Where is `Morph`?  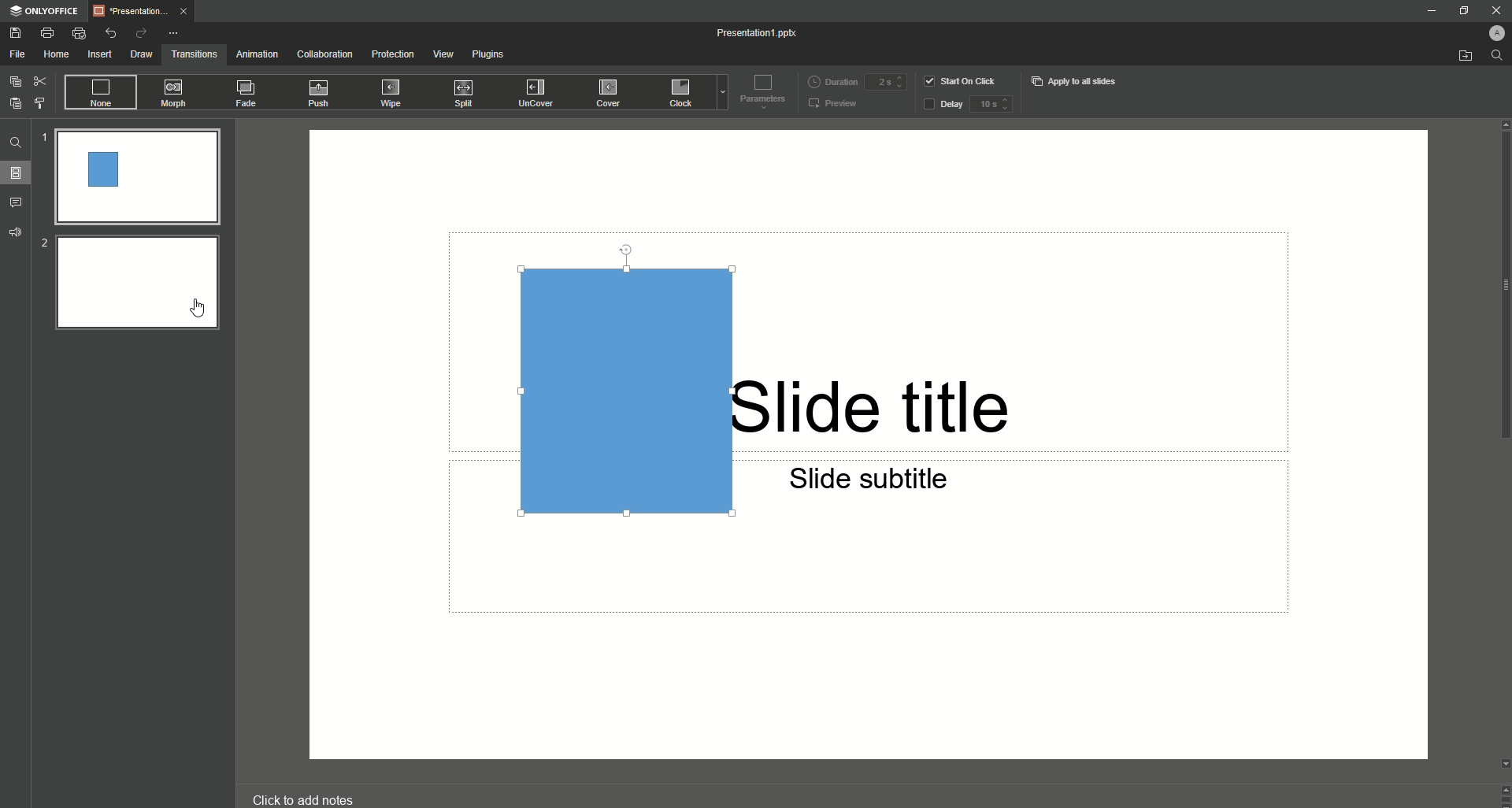 Morph is located at coordinates (179, 94).